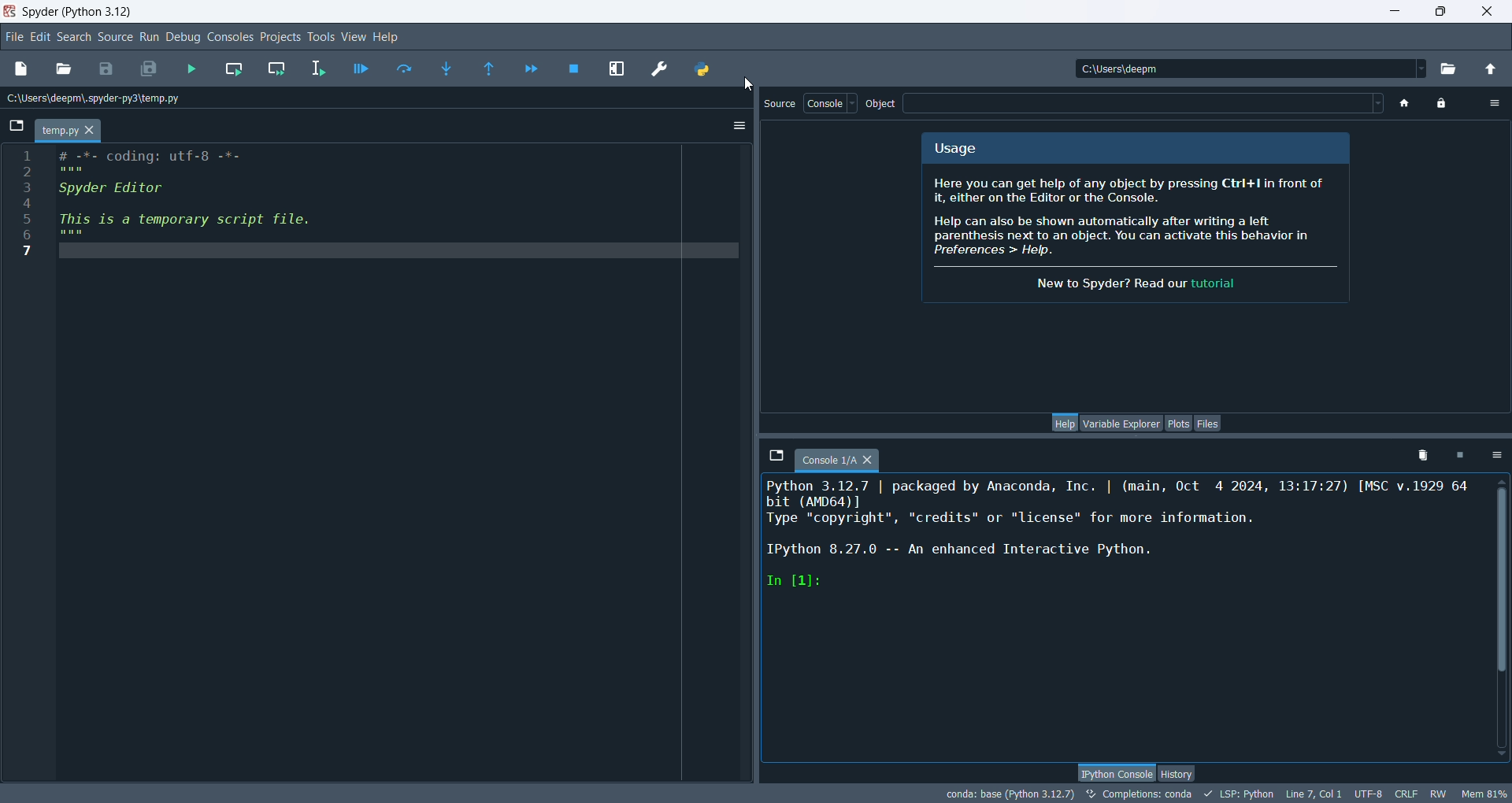  What do you see at coordinates (1440, 102) in the screenshot?
I see `lock` at bounding box center [1440, 102].